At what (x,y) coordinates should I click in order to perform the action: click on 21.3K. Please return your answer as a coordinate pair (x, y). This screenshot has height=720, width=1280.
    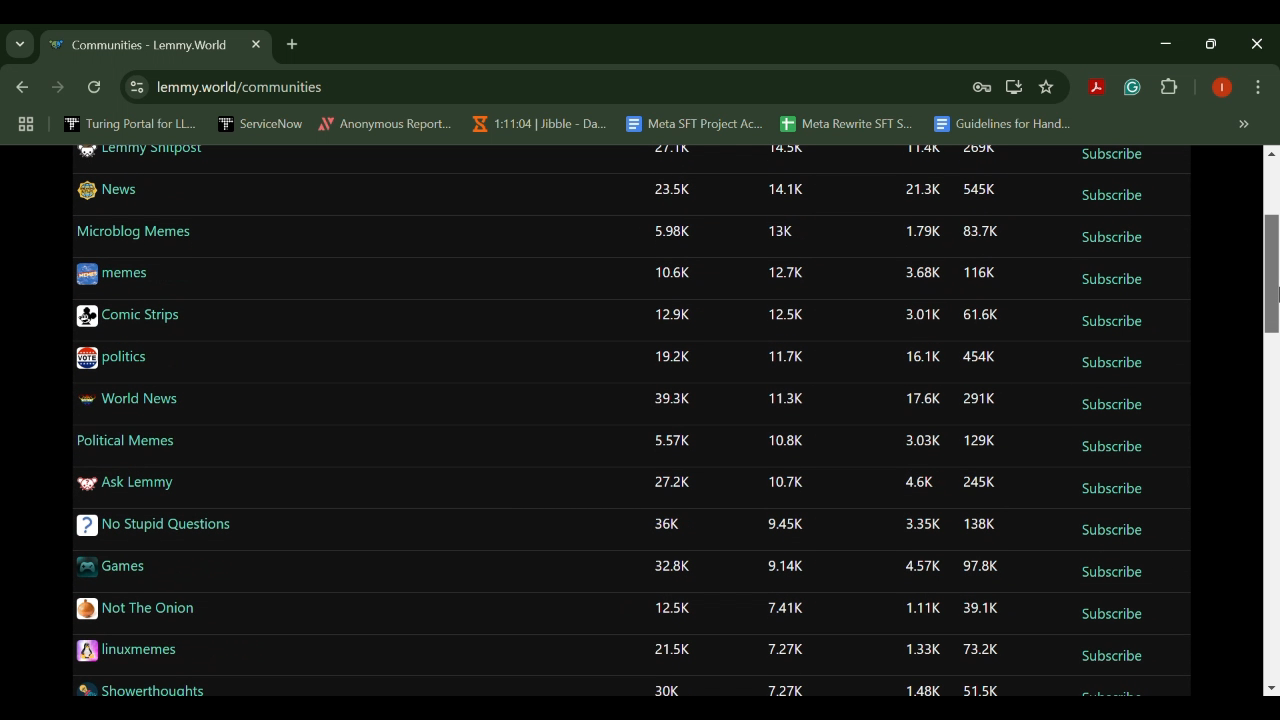
    Looking at the image, I should click on (921, 189).